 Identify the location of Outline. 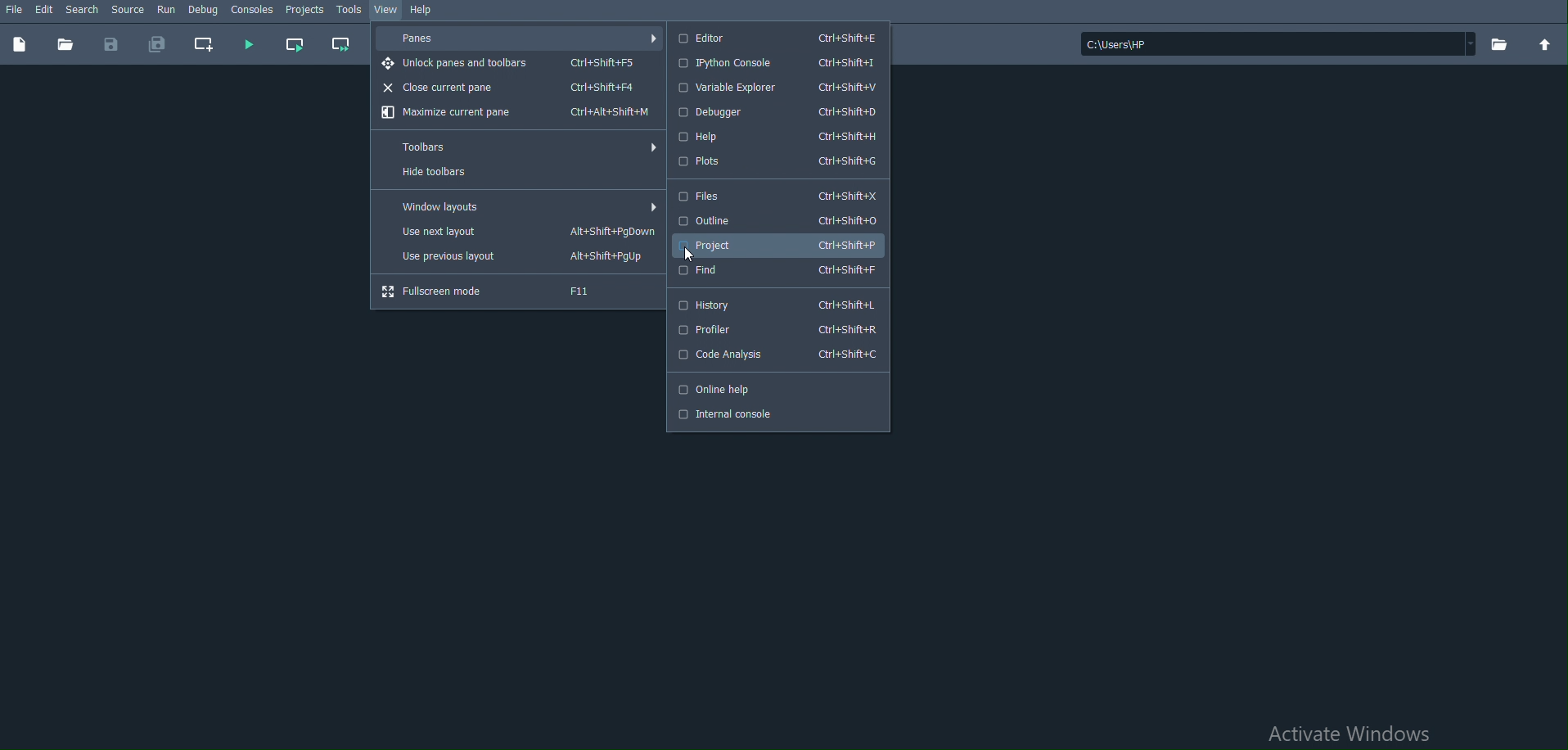
(777, 219).